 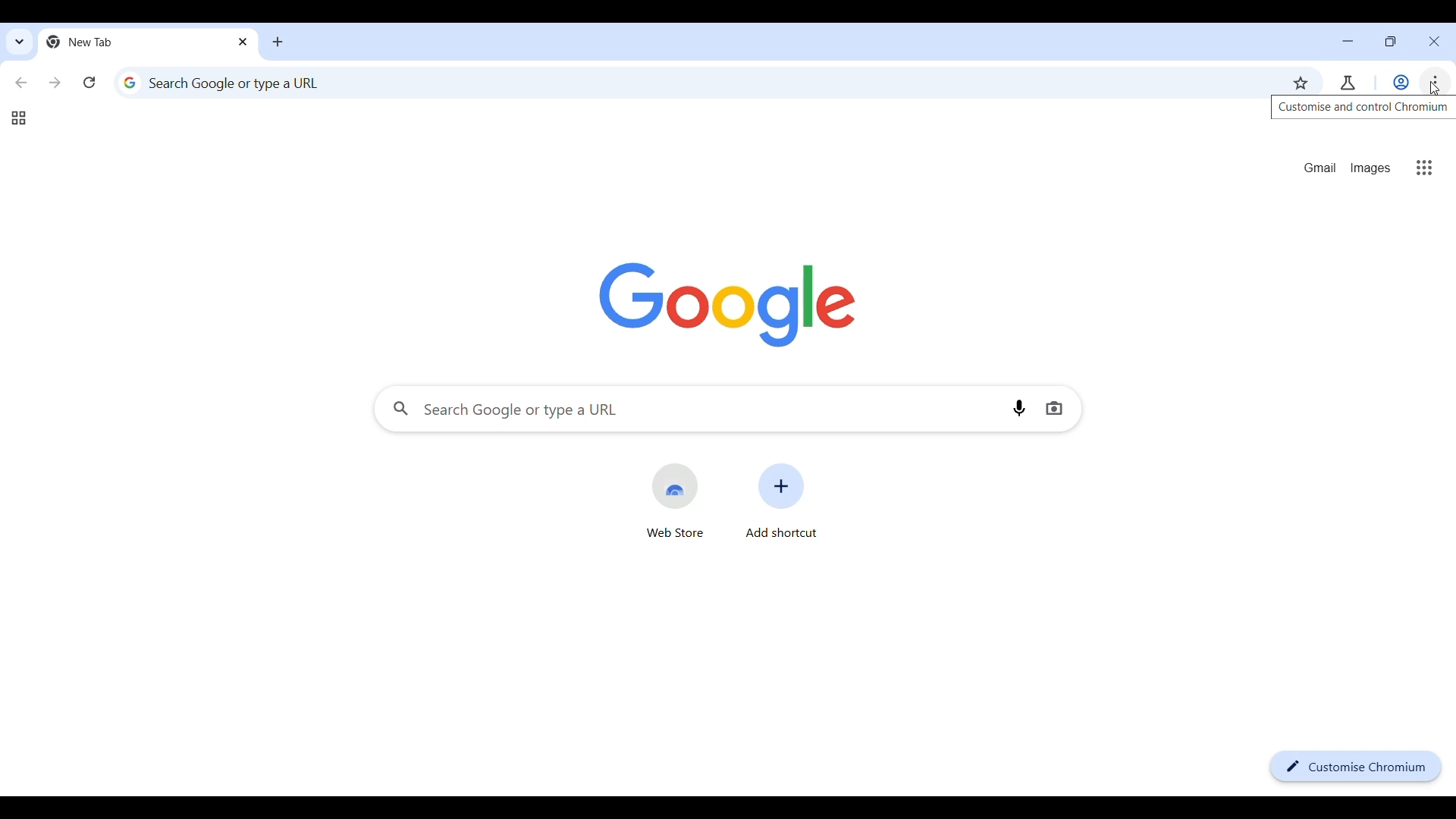 What do you see at coordinates (682, 409) in the screenshot?
I see `Search Google or enter web link` at bounding box center [682, 409].